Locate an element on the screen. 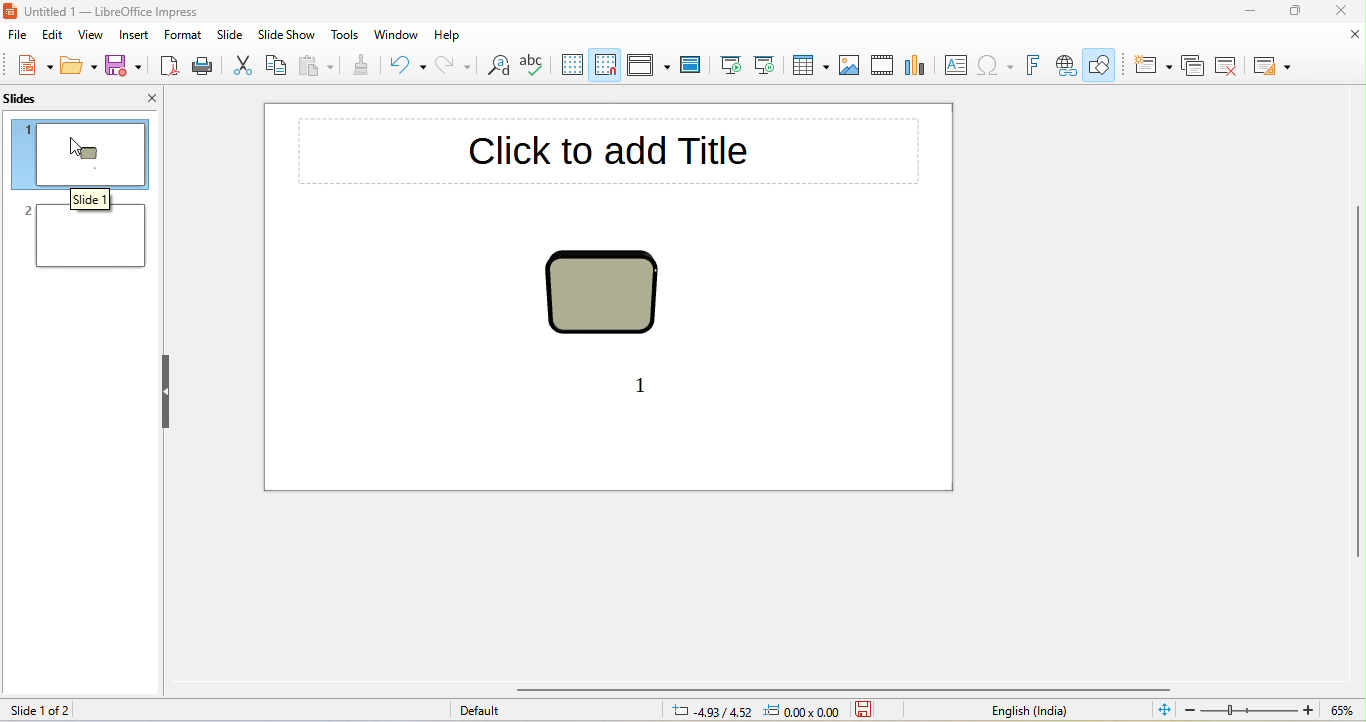 The height and width of the screenshot is (722, 1366). fontwork text is located at coordinates (1032, 67).